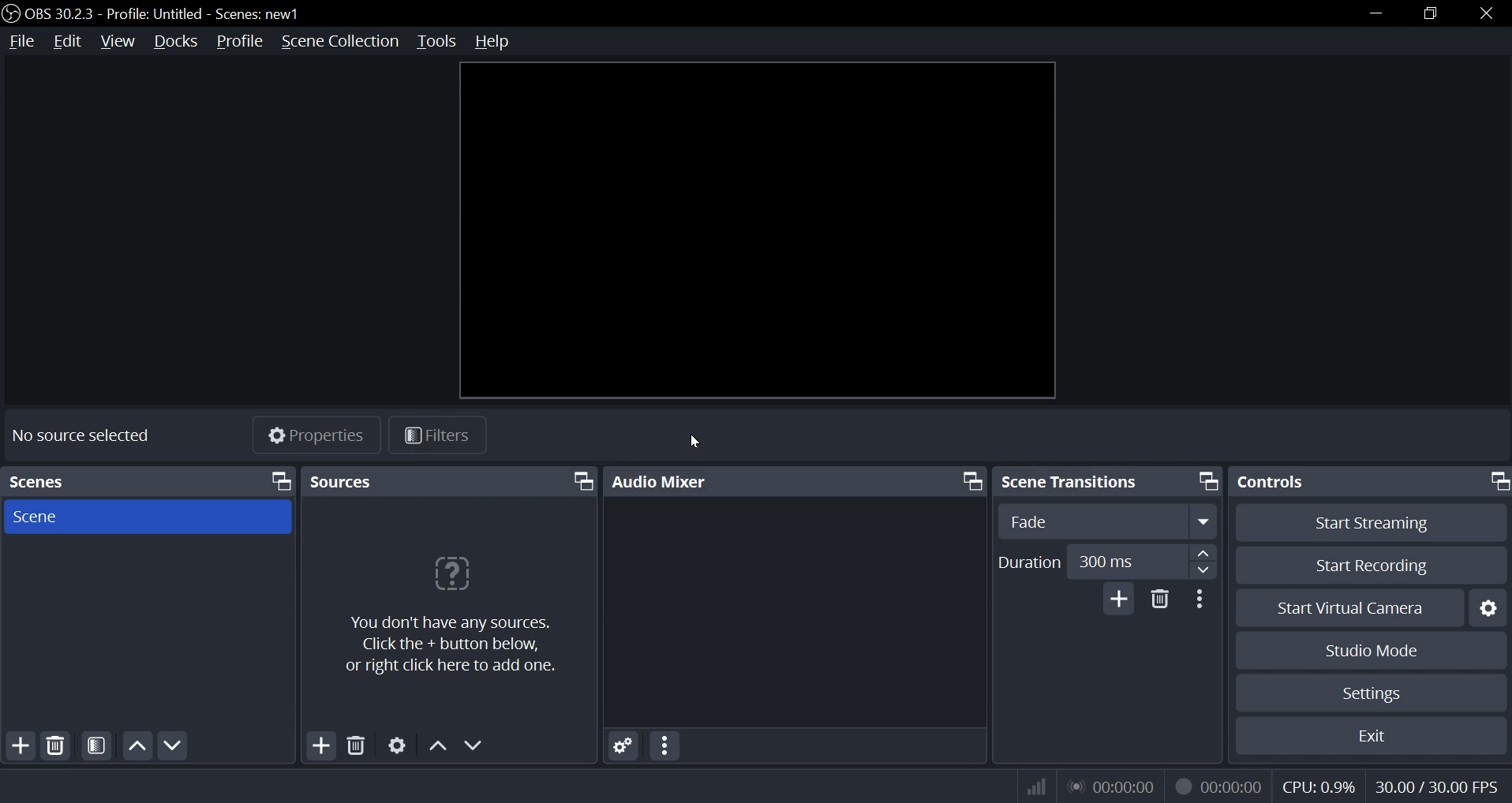 Image resolution: width=1512 pixels, height=803 pixels. What do you see at coordinates (475, 745) in the screenshot?
I see `down` at bounding box center [475, 745].